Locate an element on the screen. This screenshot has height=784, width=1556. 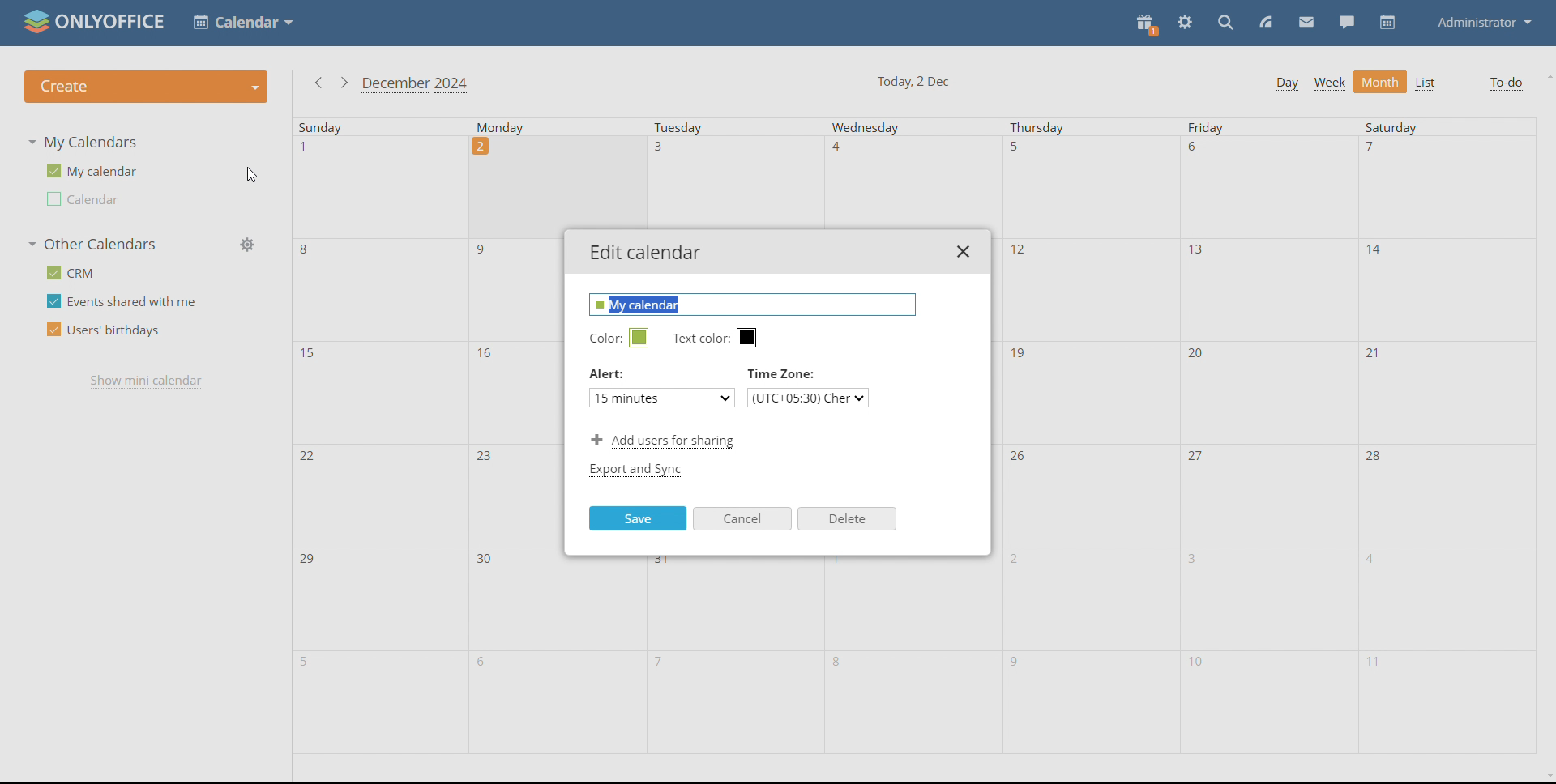
users' birthdays is located at coordinates (102, 331).